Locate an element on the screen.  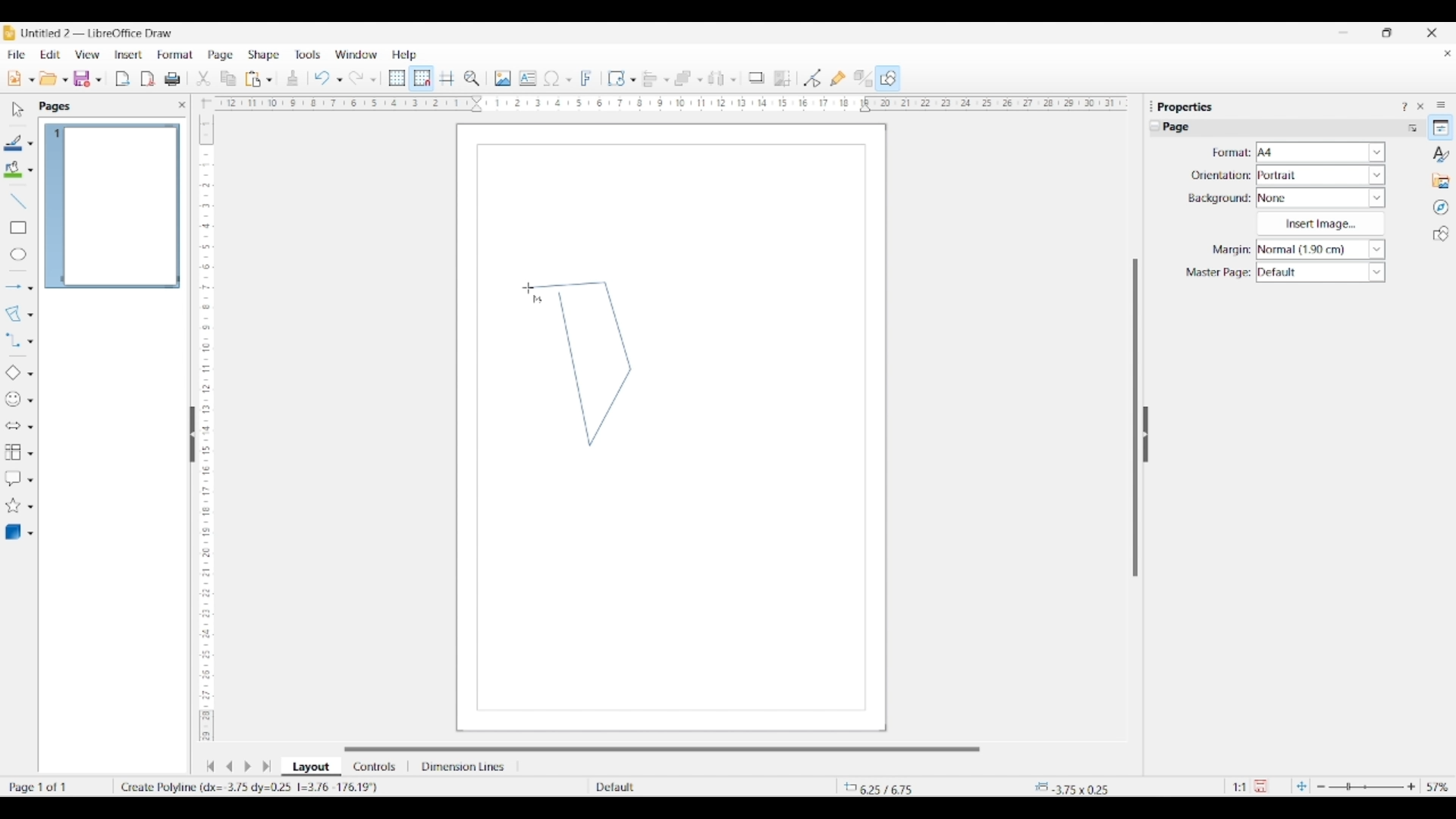
File is located at coordinates (16, 55).